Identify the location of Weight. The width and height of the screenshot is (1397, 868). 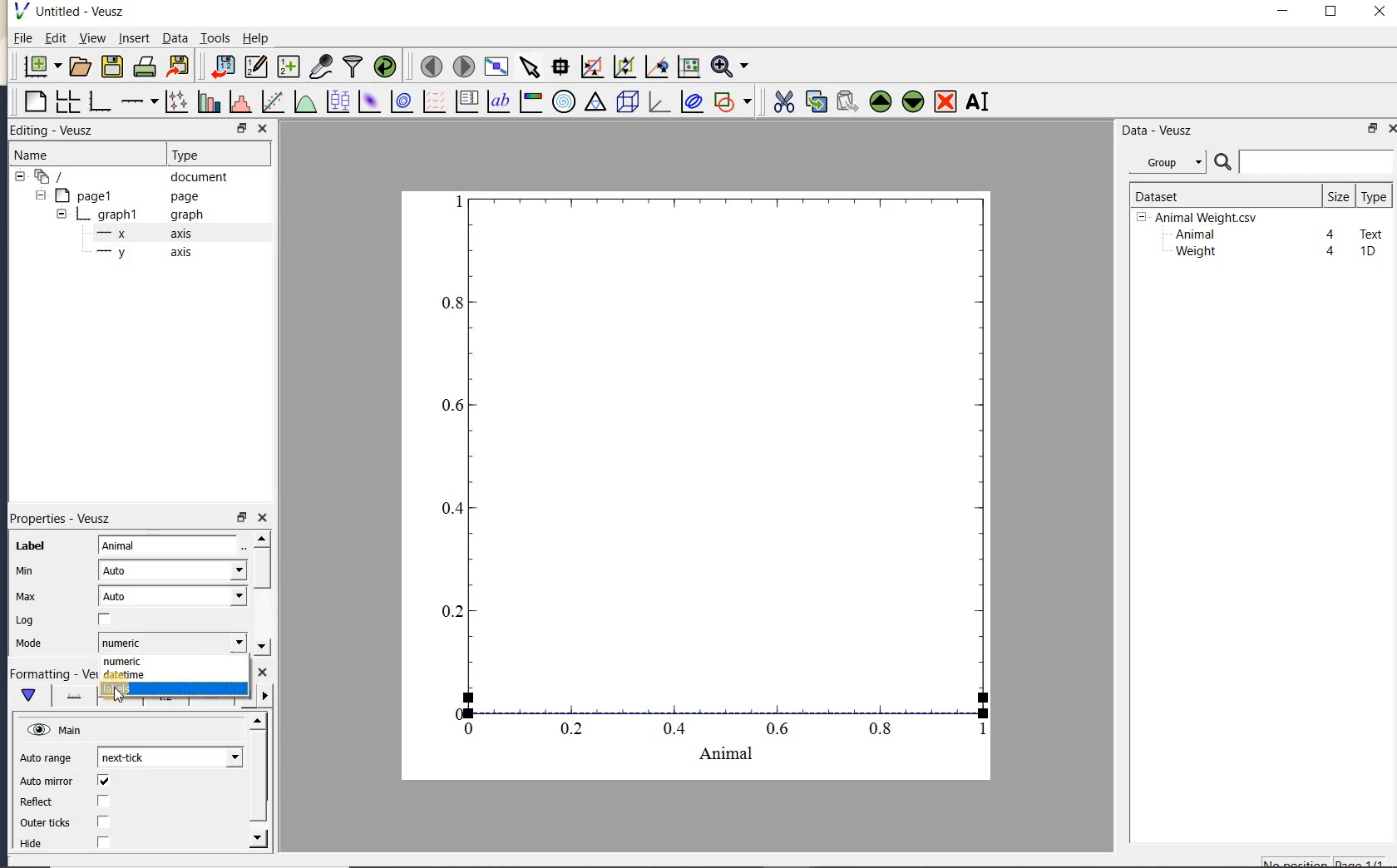
(1194, 253).